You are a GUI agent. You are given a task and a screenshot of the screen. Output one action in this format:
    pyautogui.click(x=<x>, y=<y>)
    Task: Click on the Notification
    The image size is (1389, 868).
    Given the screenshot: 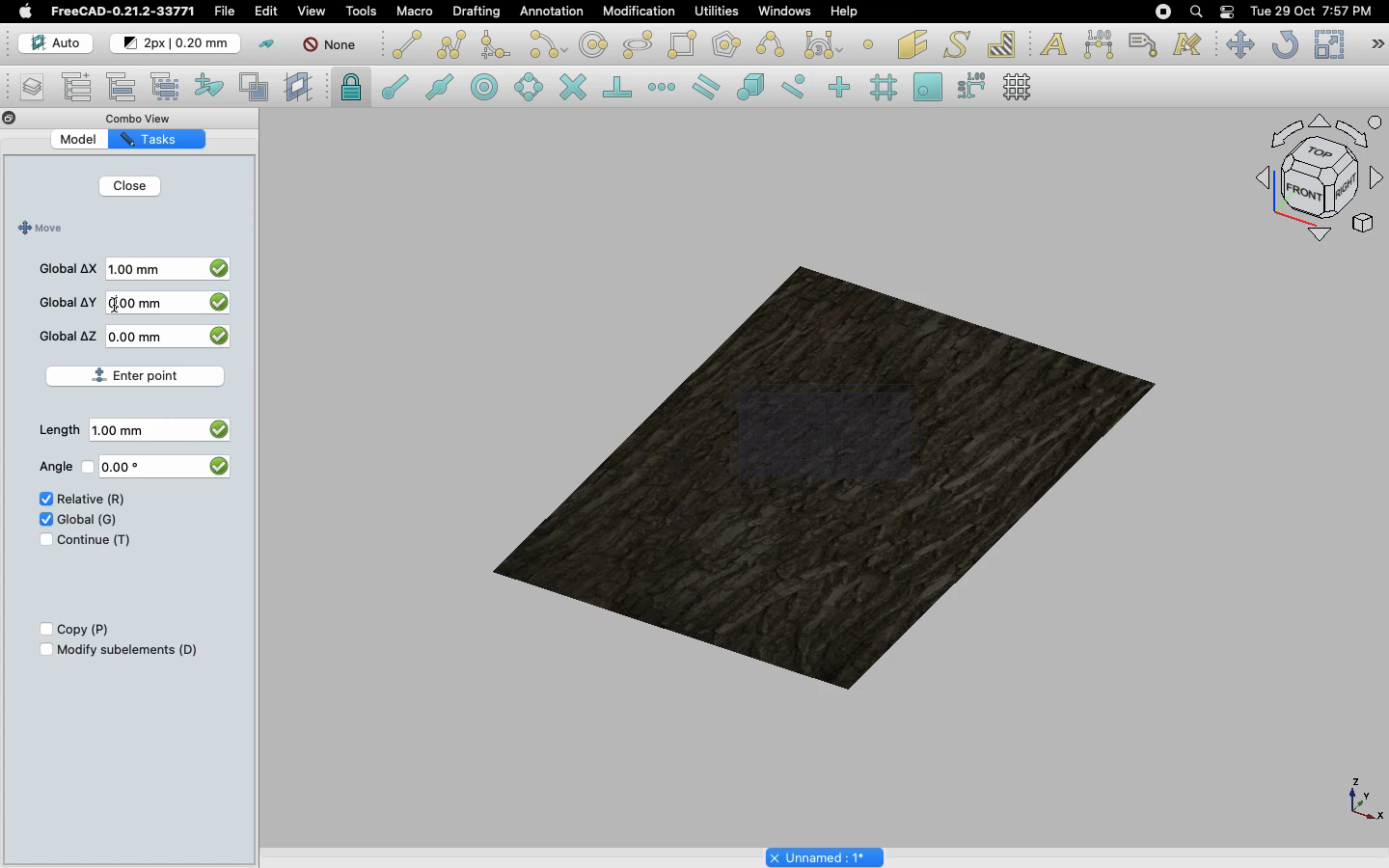 What is the action you would take?
    pyautogui.click(x=1229, y=11)
    